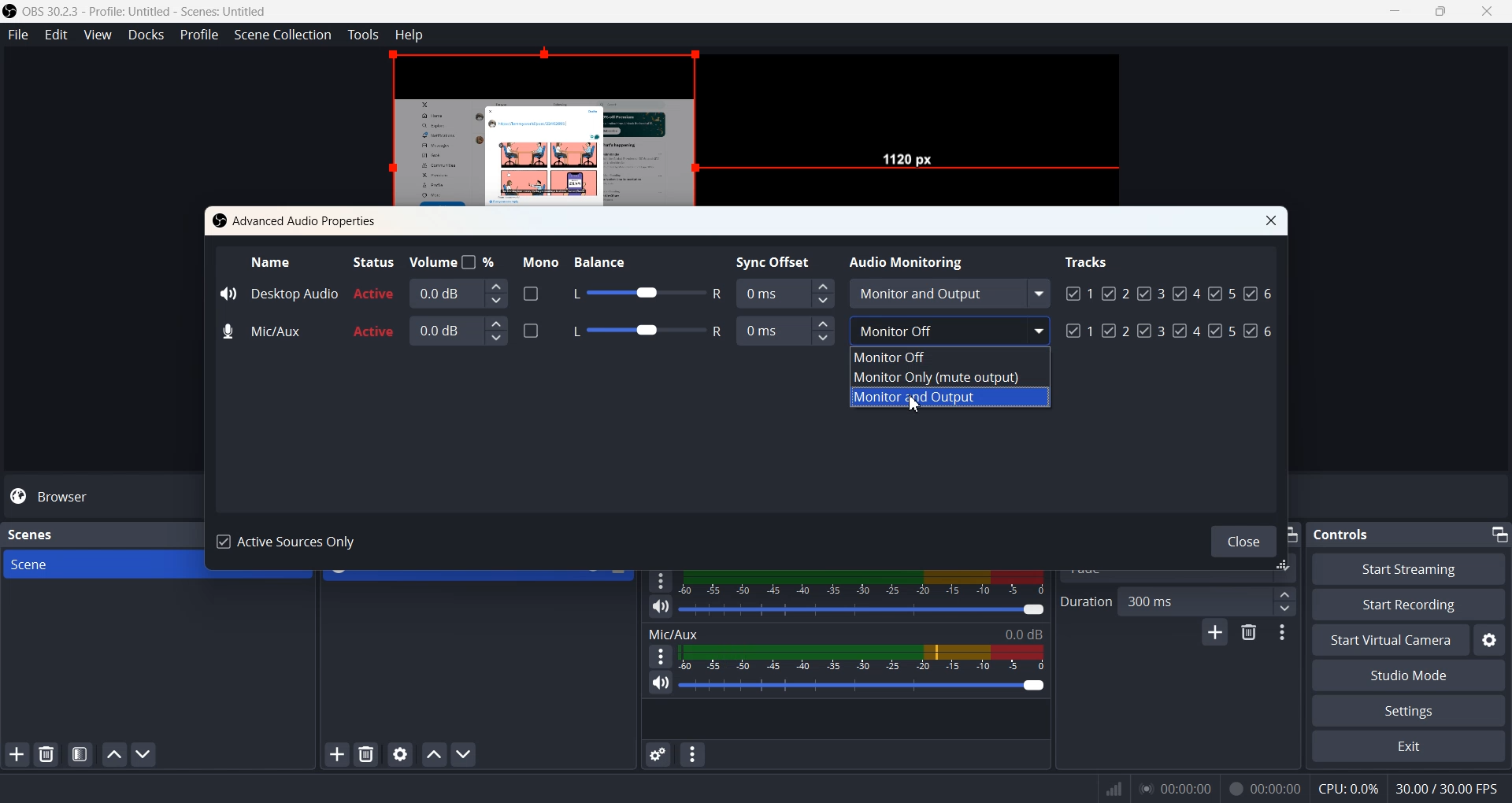 This screenshot has height=803, width=1512. Describe the element at coordinates (656, 754) in the screenshot. I see `Advance audio properties` at that location.